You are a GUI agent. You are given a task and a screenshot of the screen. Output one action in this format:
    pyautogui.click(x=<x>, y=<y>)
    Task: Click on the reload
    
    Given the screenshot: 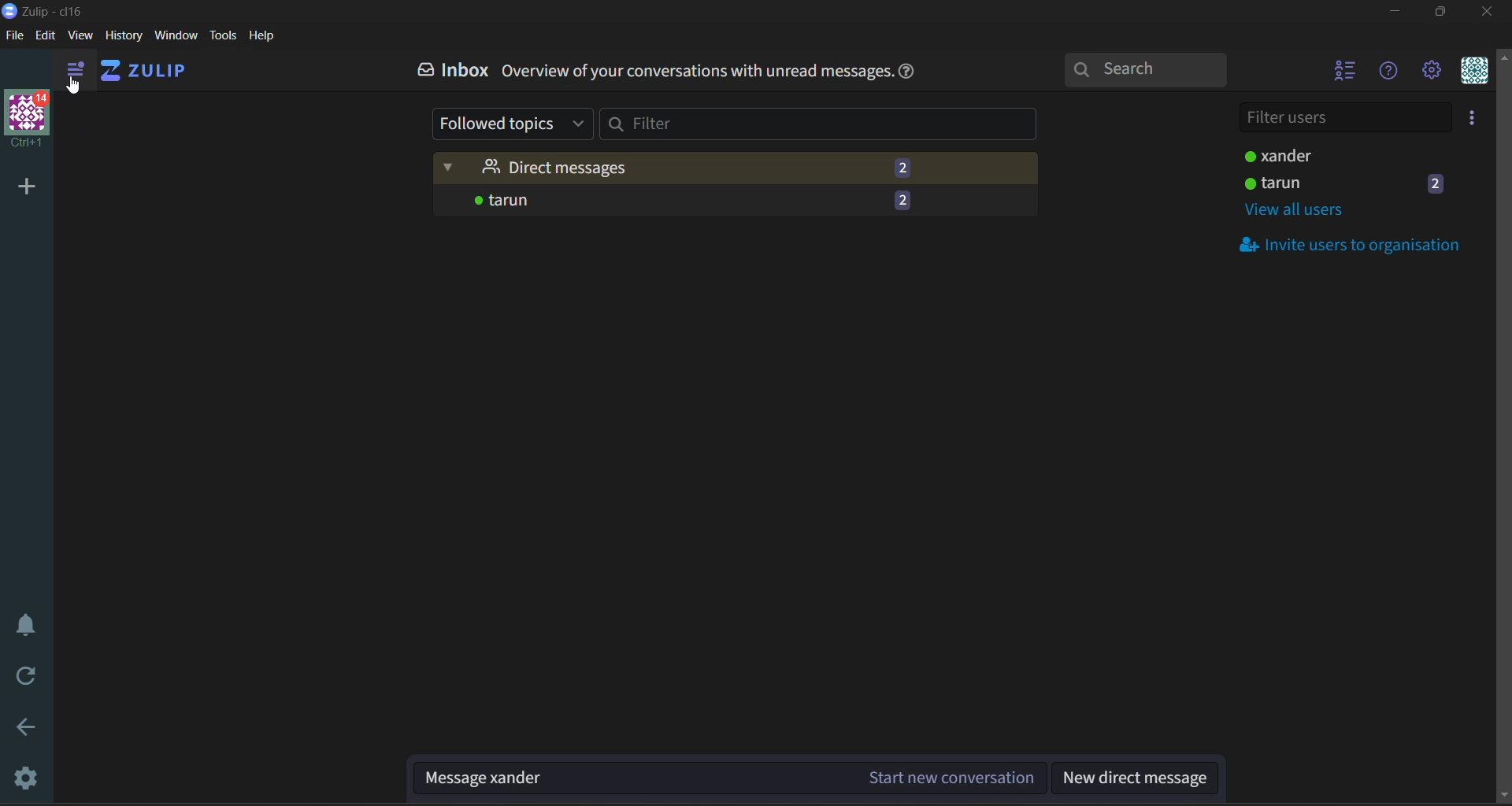 What is the action you would take?
    pyautogui.click(x=32, y=677)
    